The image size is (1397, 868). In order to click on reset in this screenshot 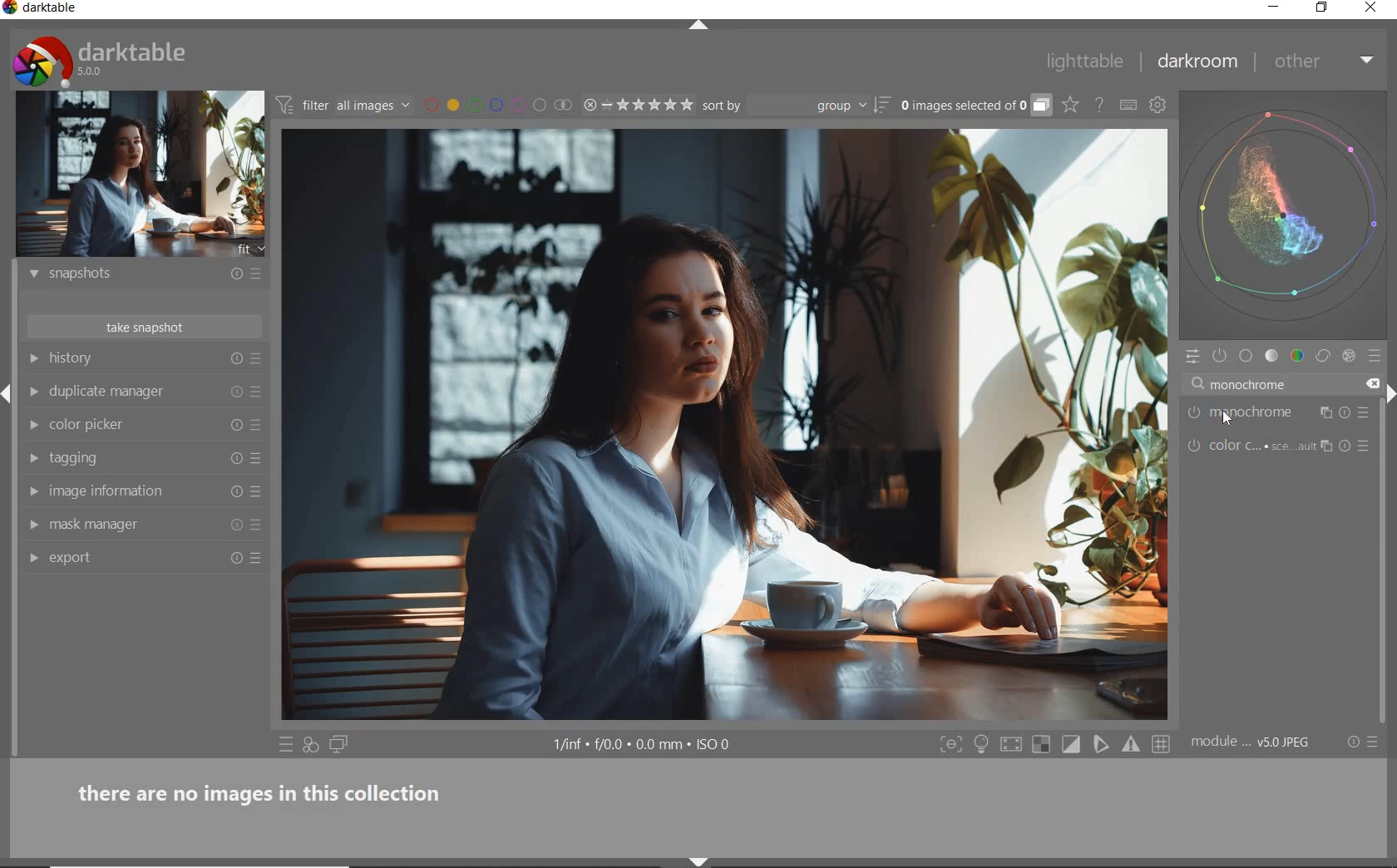, I will do `click(1345, 412)`.